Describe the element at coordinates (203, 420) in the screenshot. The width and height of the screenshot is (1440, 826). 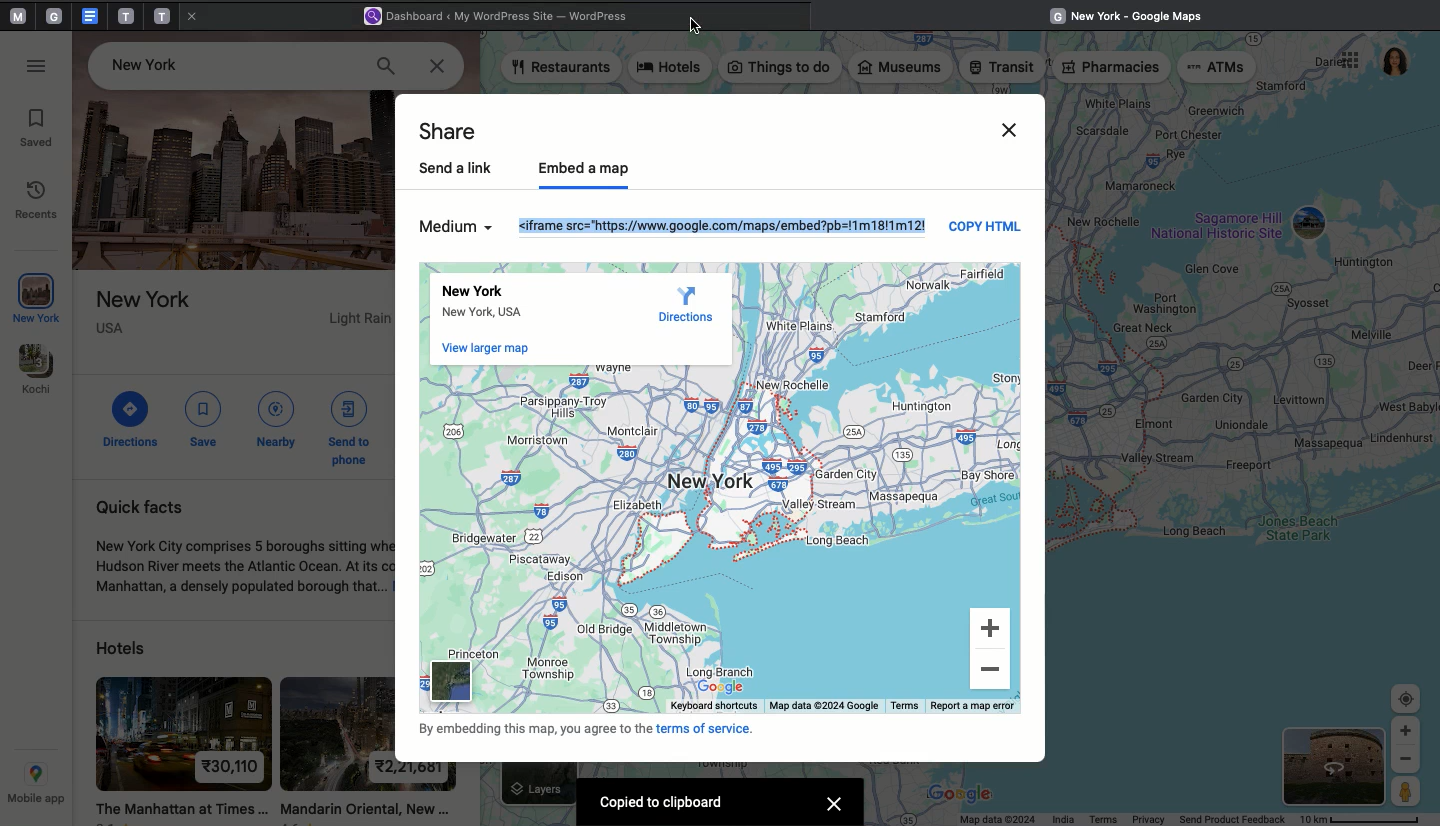
I see `Save` at that location.